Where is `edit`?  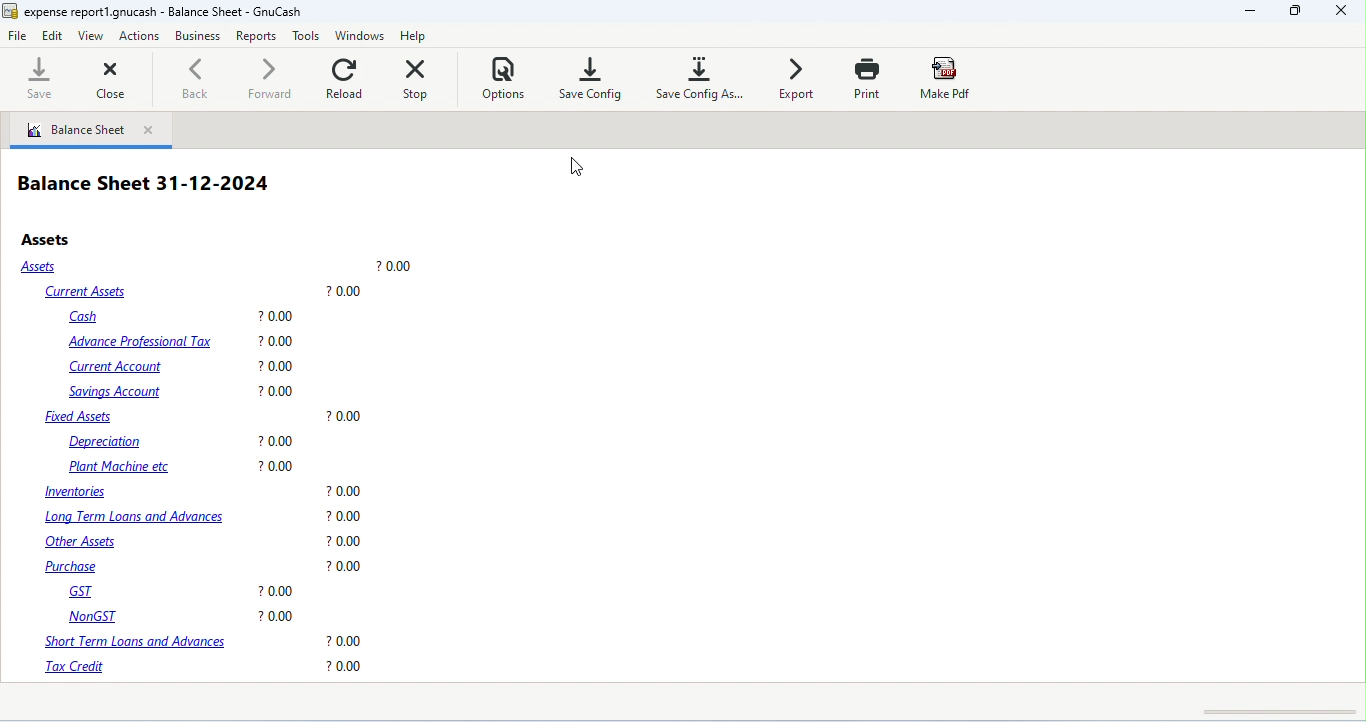 edit is located at coordinates (54, 37).